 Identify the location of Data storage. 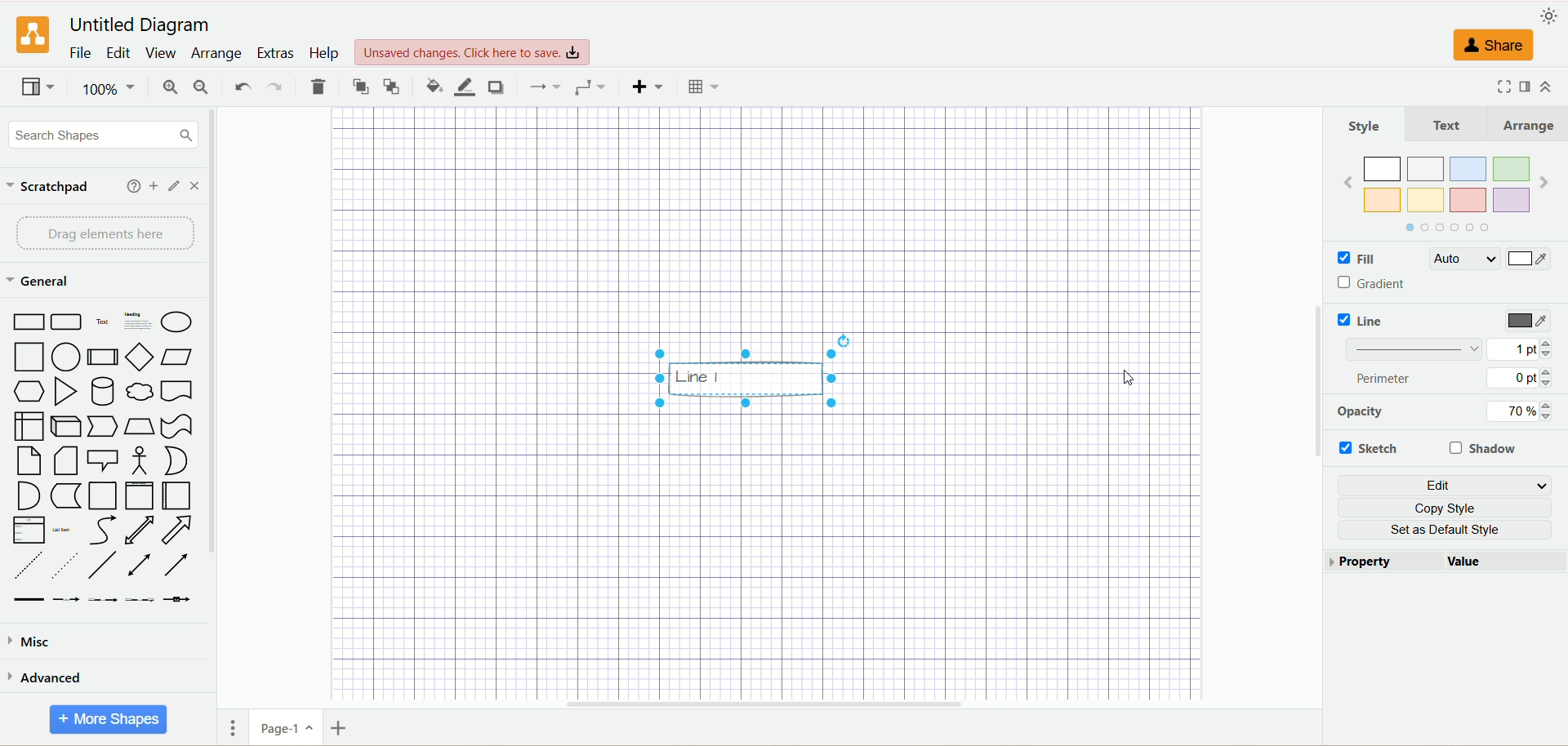
(65, 496).